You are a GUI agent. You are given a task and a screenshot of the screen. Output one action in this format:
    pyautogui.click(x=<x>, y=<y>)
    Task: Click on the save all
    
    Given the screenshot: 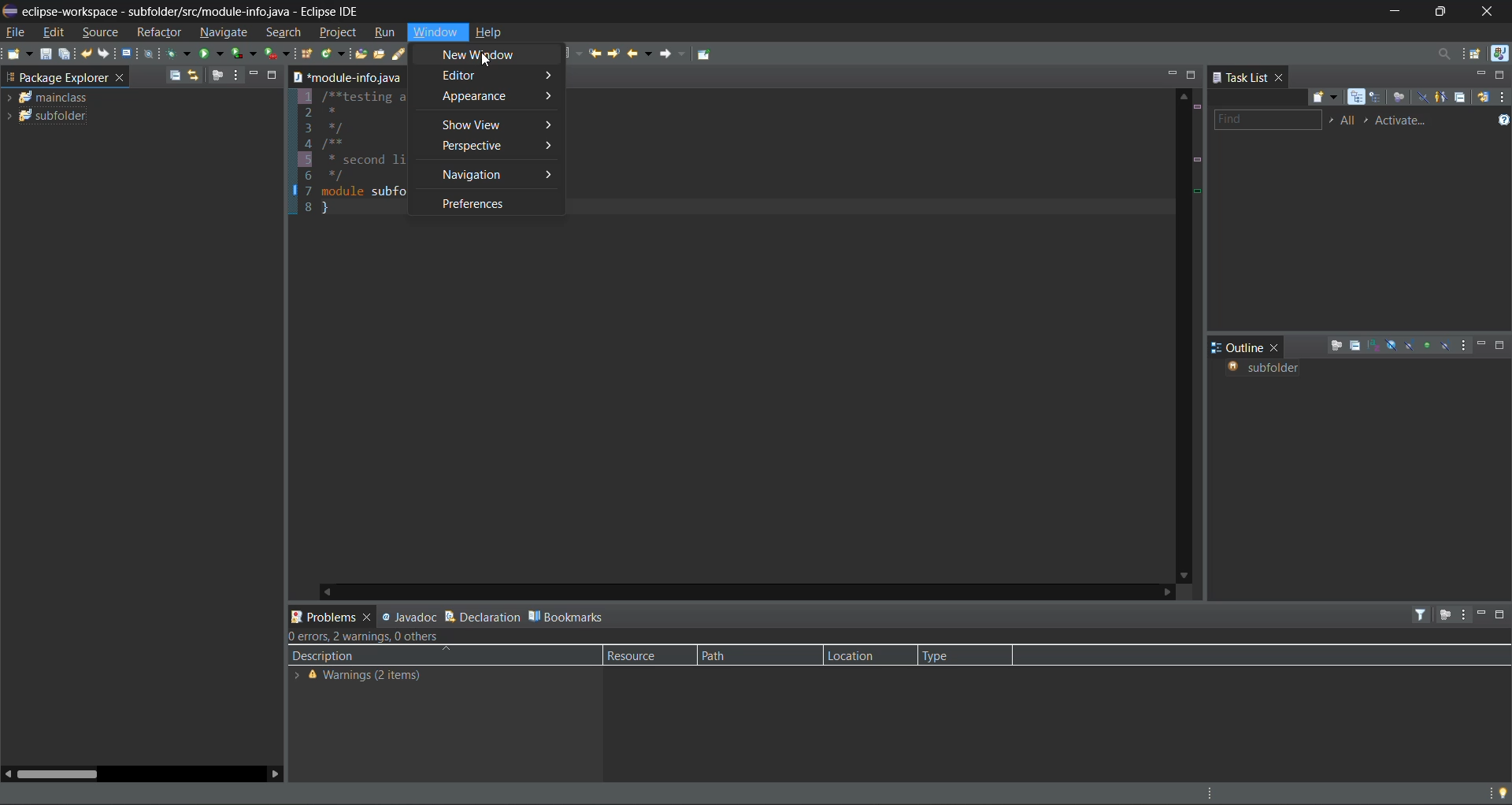 What is the action you would take?
    pyautogui.click(x=66, y=54)
    